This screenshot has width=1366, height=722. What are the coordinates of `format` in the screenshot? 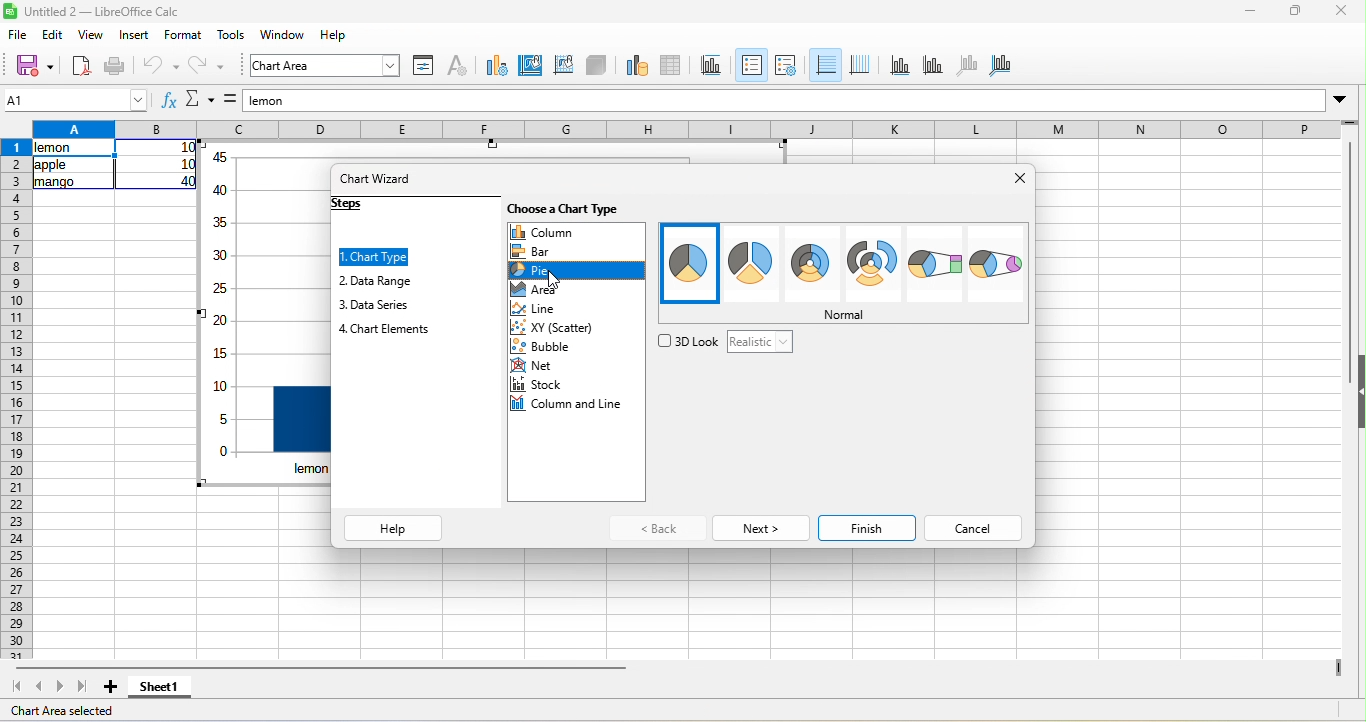 It's located at (185, 37).